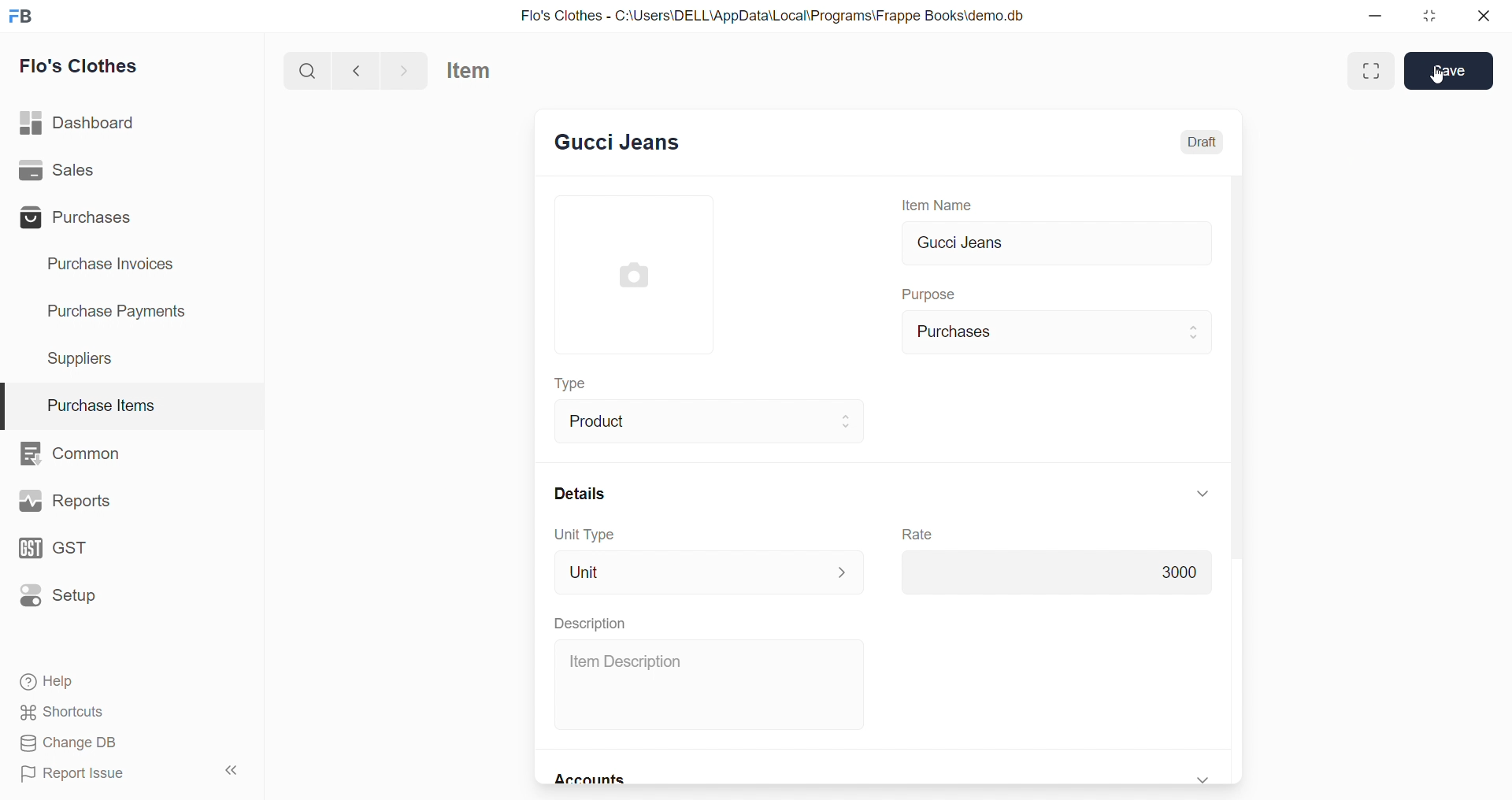 This screenshot has width=1512, height=800. What do you see at coordinates (20, 17) in the screenshot?
I see `logo` at bounding box center [20, 17].